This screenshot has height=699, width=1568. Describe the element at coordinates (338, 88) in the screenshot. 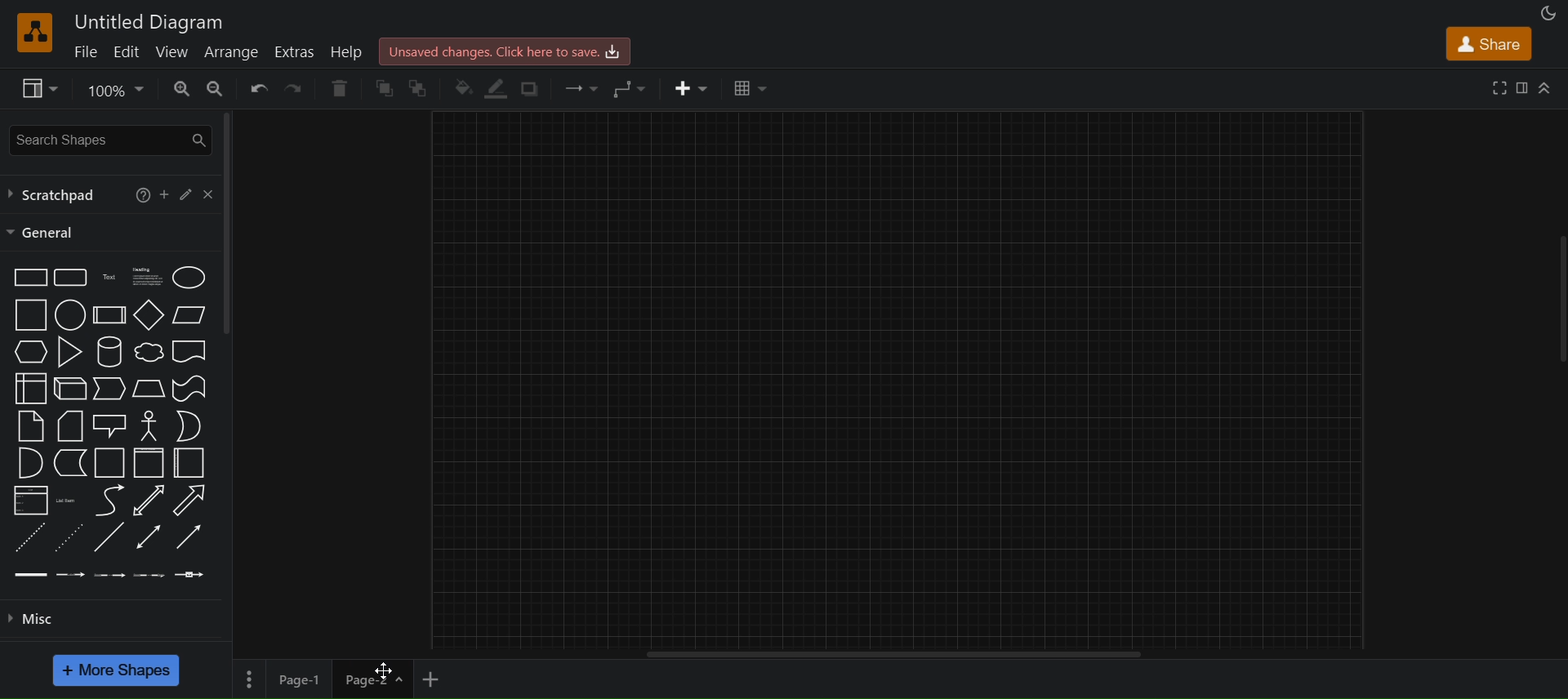

I see `delete` at that location.